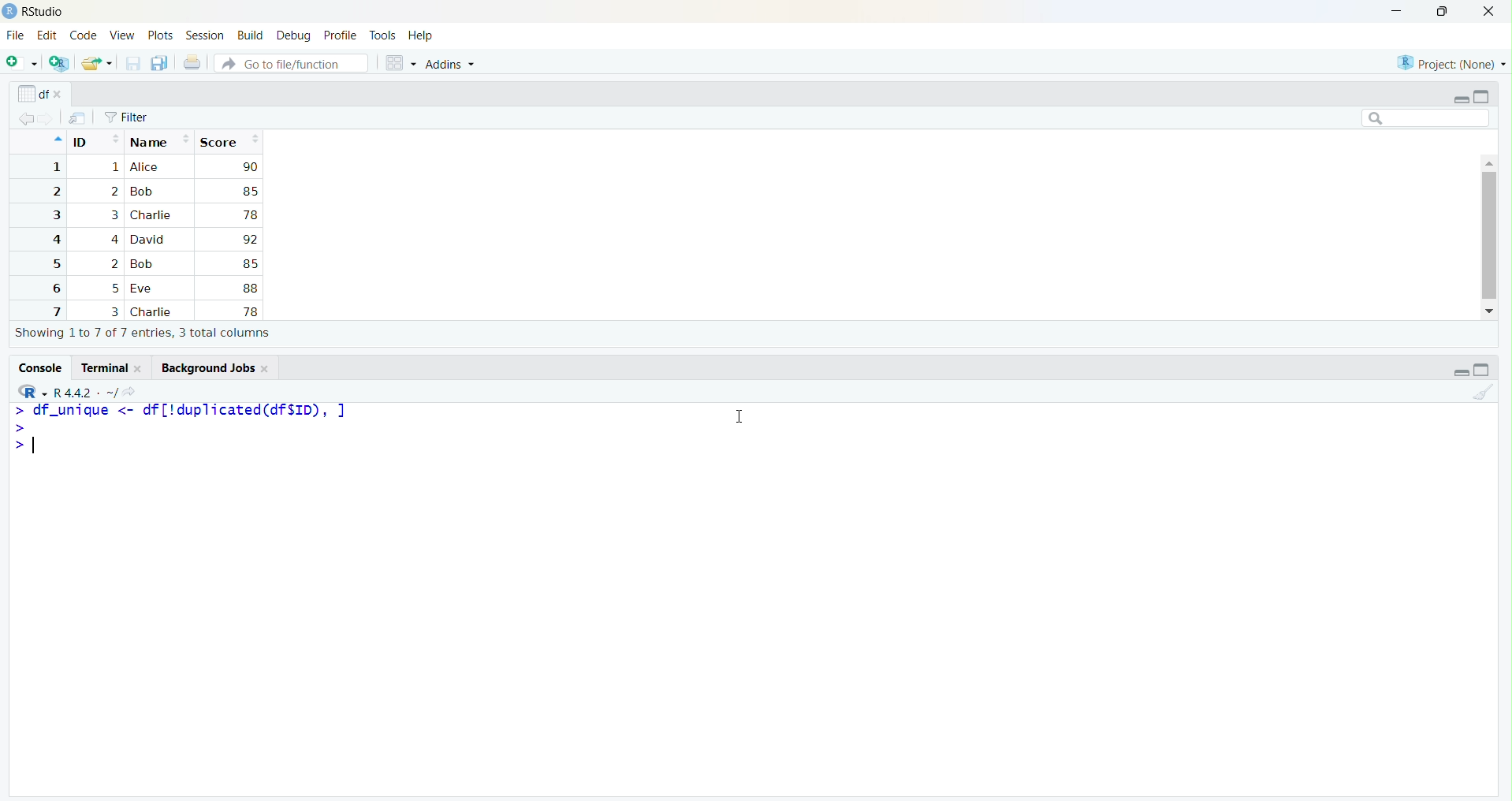 The width and height of the screenshot is (1512, 801). What do you see at coordinates (112, 215) in the screenshot?
I see `3` at bounding box center [112, 215].